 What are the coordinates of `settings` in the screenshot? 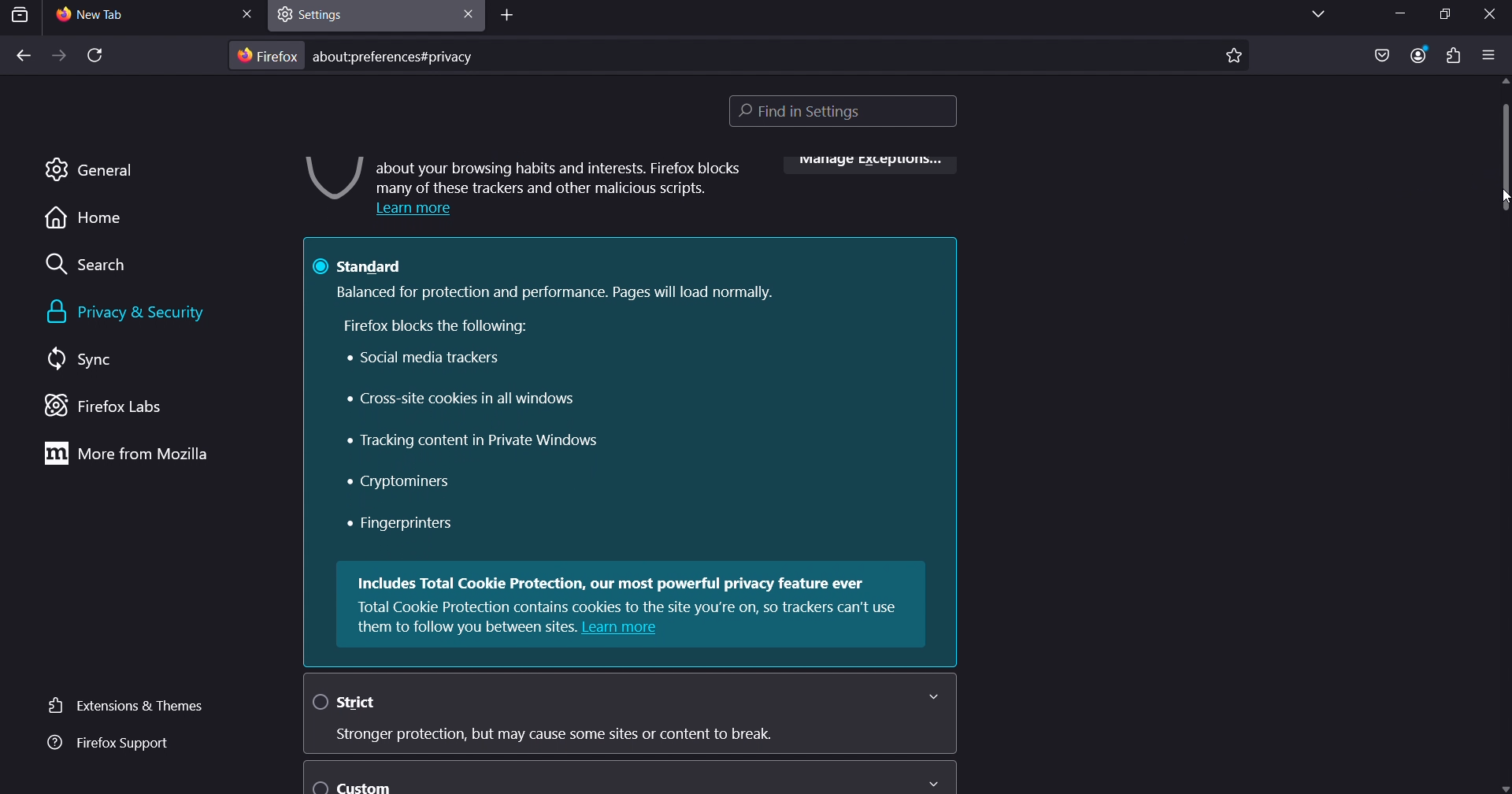 It's located at (322, 13).